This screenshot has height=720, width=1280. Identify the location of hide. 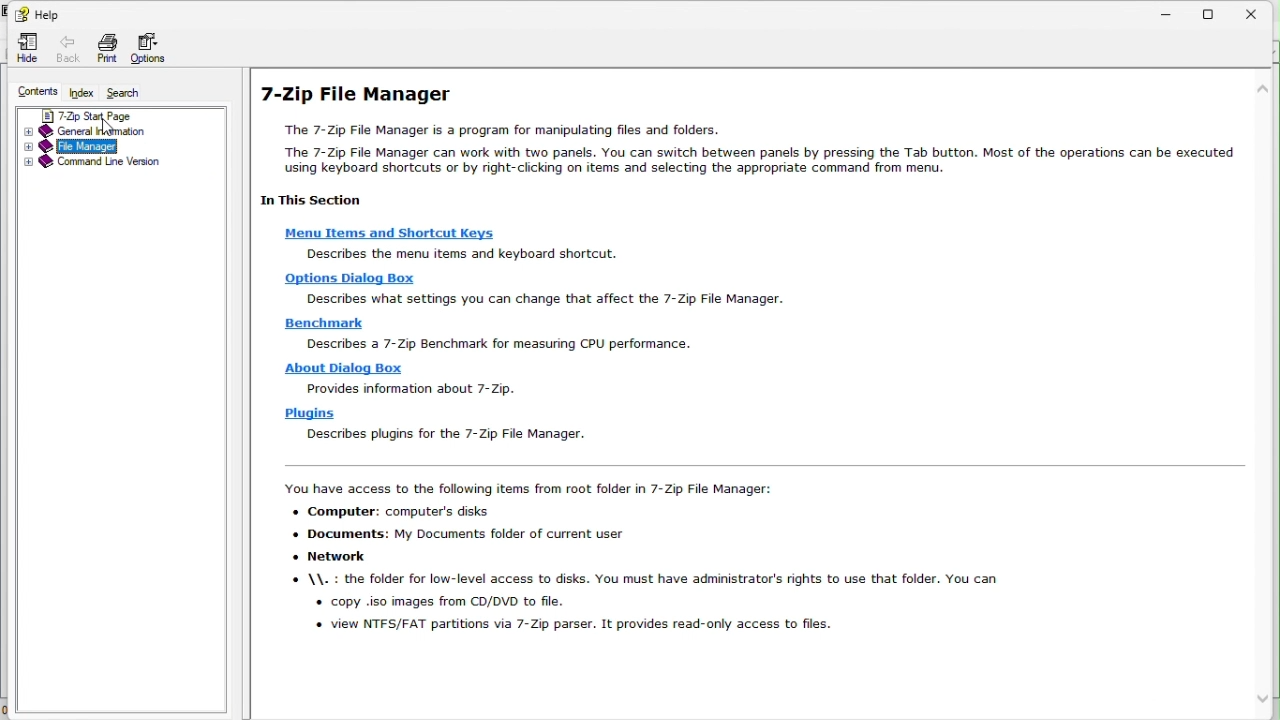
(22, 49).